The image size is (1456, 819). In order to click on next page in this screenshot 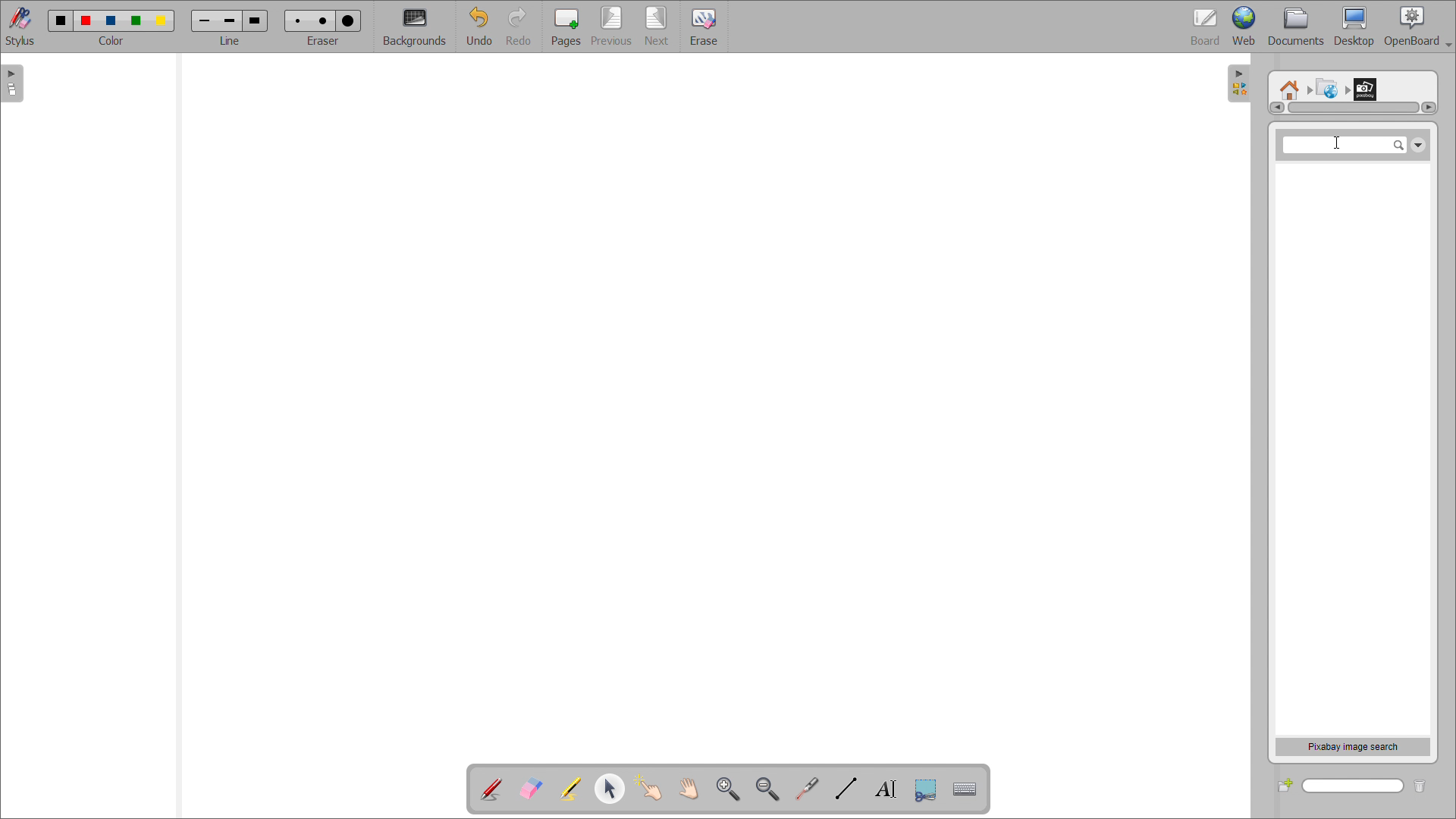, I will do `click(658, 26)`.